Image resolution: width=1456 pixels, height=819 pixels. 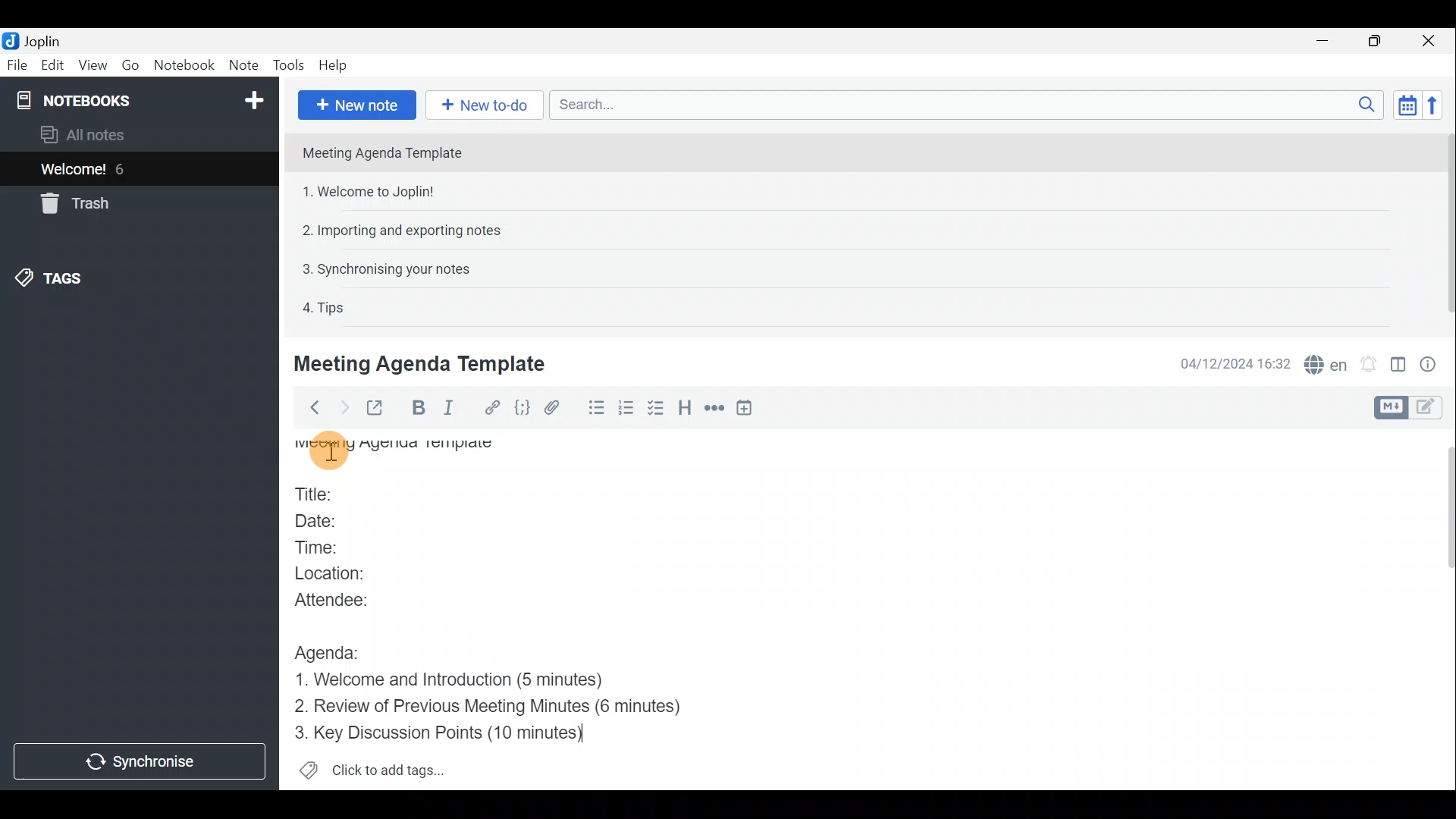 What do you see at coordinates (415, 408) in the screenshot?
I see `Bold` at bounding box center [415, 408].